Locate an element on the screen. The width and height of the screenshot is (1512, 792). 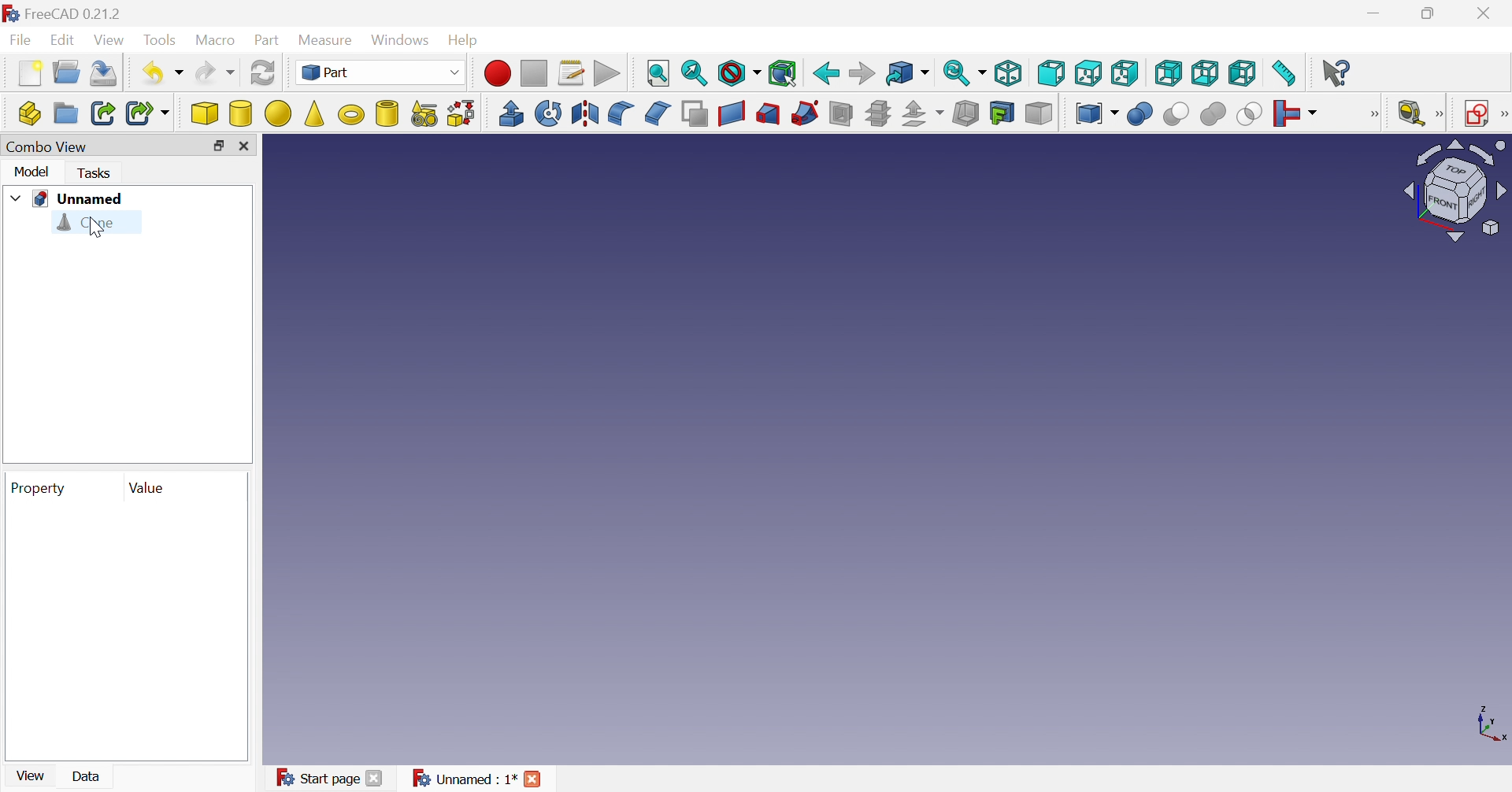
Combo View is located at coordinates (48, 147).